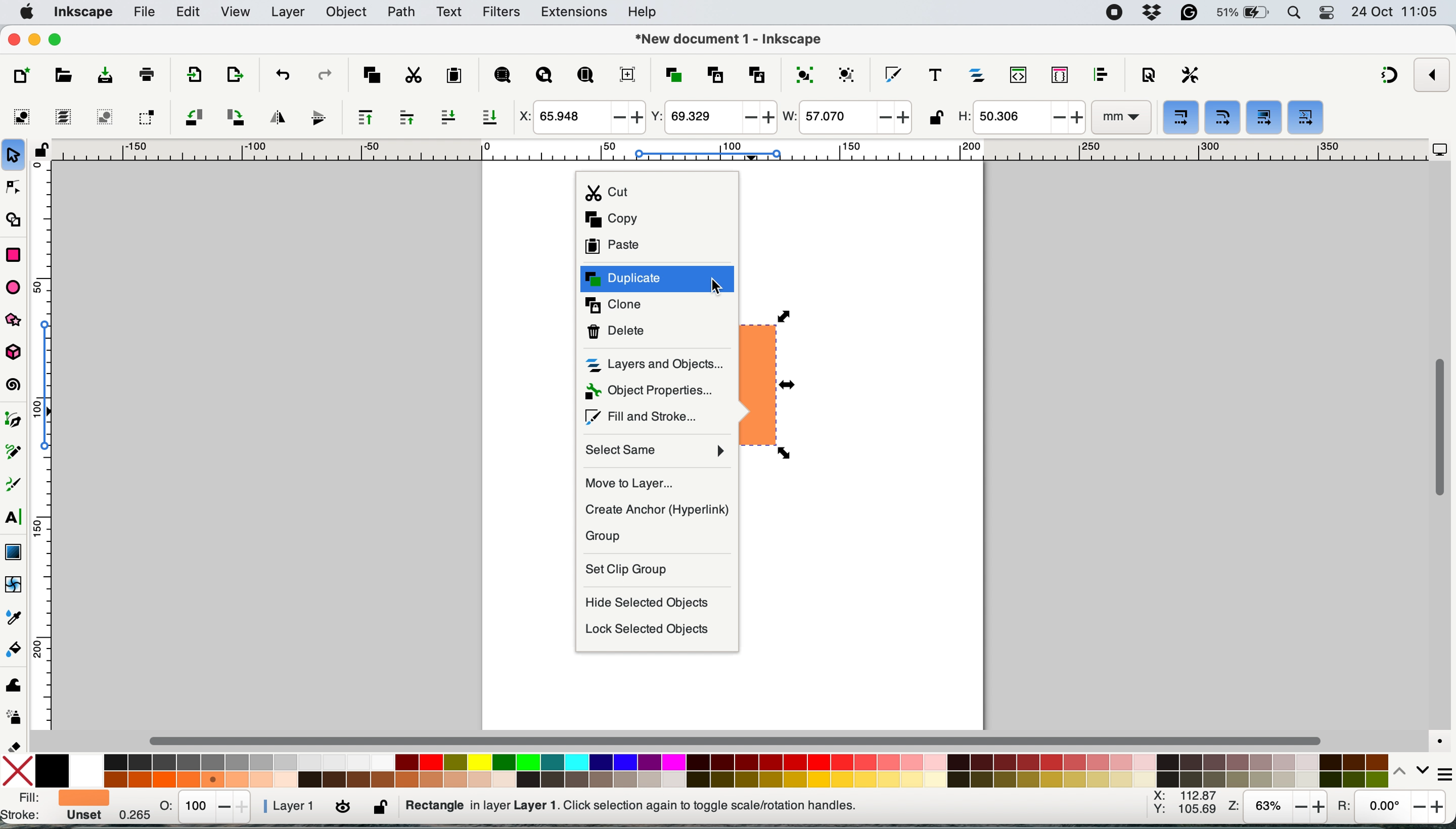  What do you see at coordinates (383, 810) in the screenshot?
I see `lock unlock current layer` at bounding box center [383, 810].